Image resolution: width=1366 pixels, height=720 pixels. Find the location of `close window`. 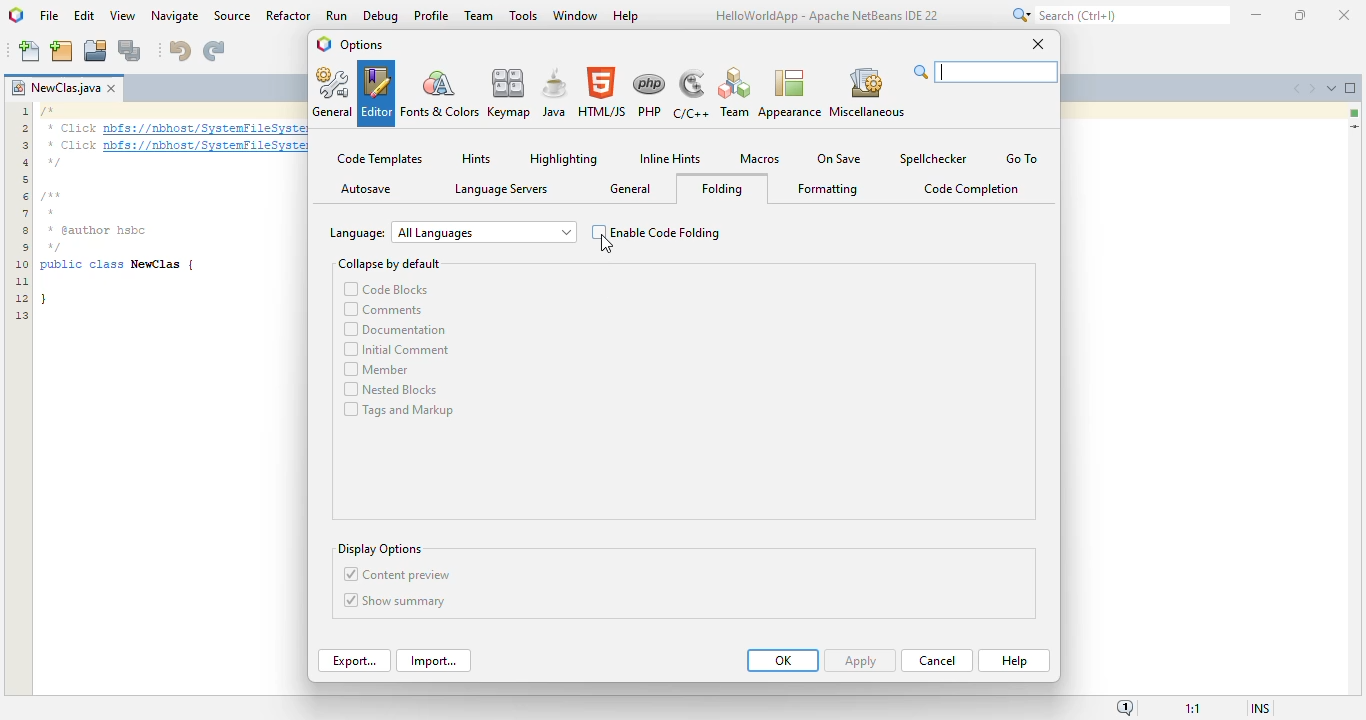

close window is located at coordinates (111, 88).